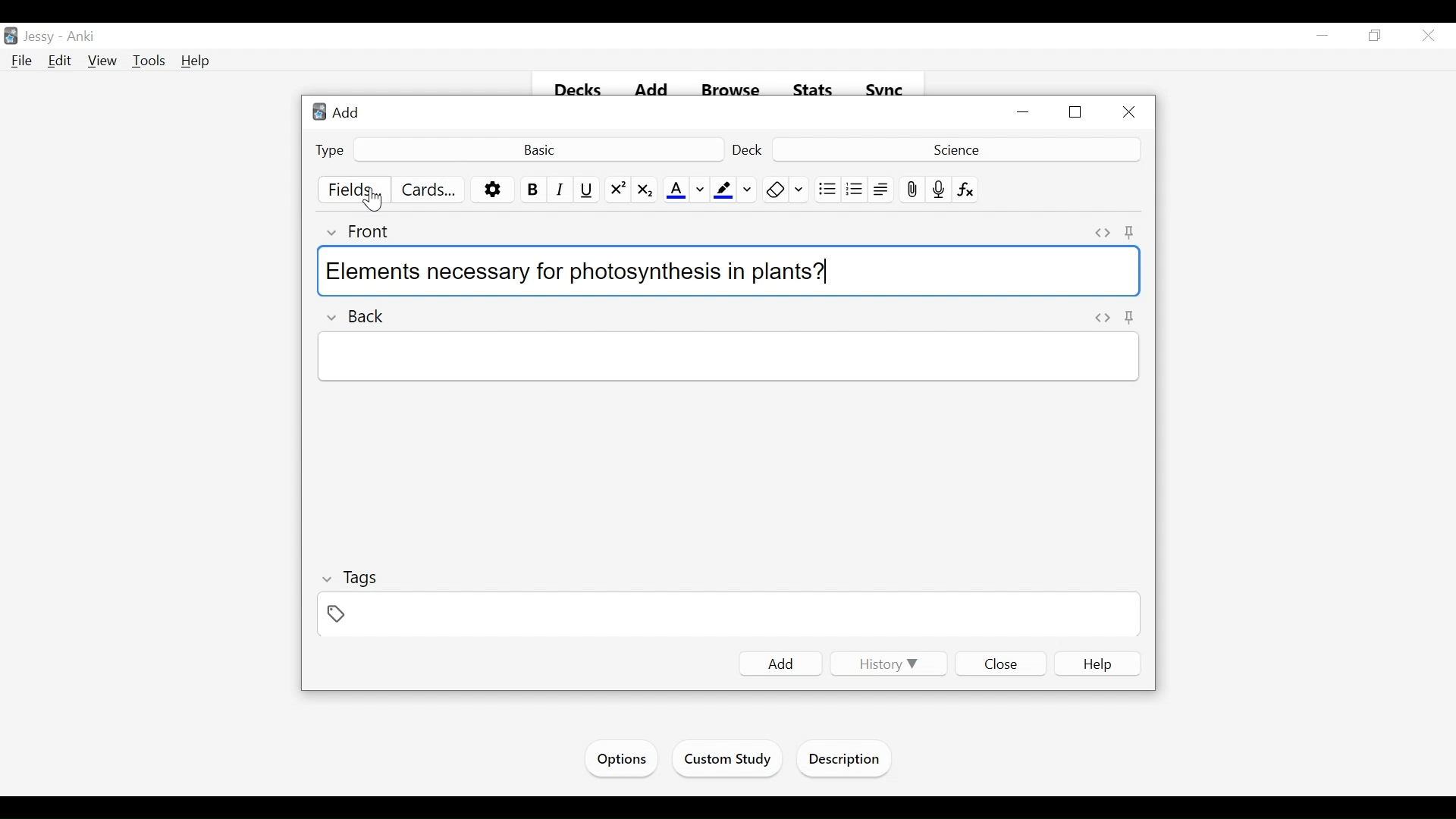  What do you see at coordinates (60, 60) in the screenshot?
I see `Edit` at bounding box center [60, 60].